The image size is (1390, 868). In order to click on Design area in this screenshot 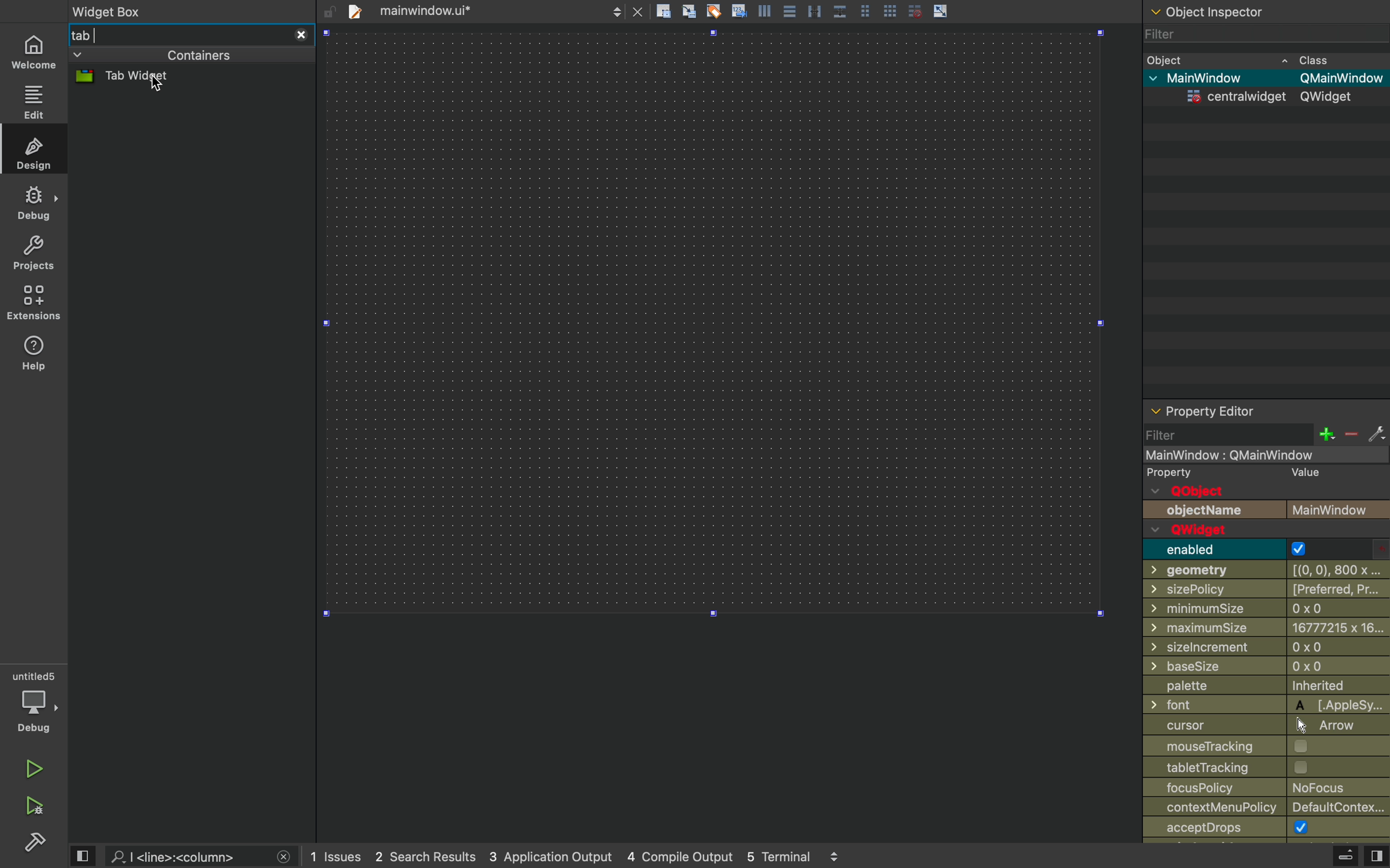, I will do `click(716, 323)`.